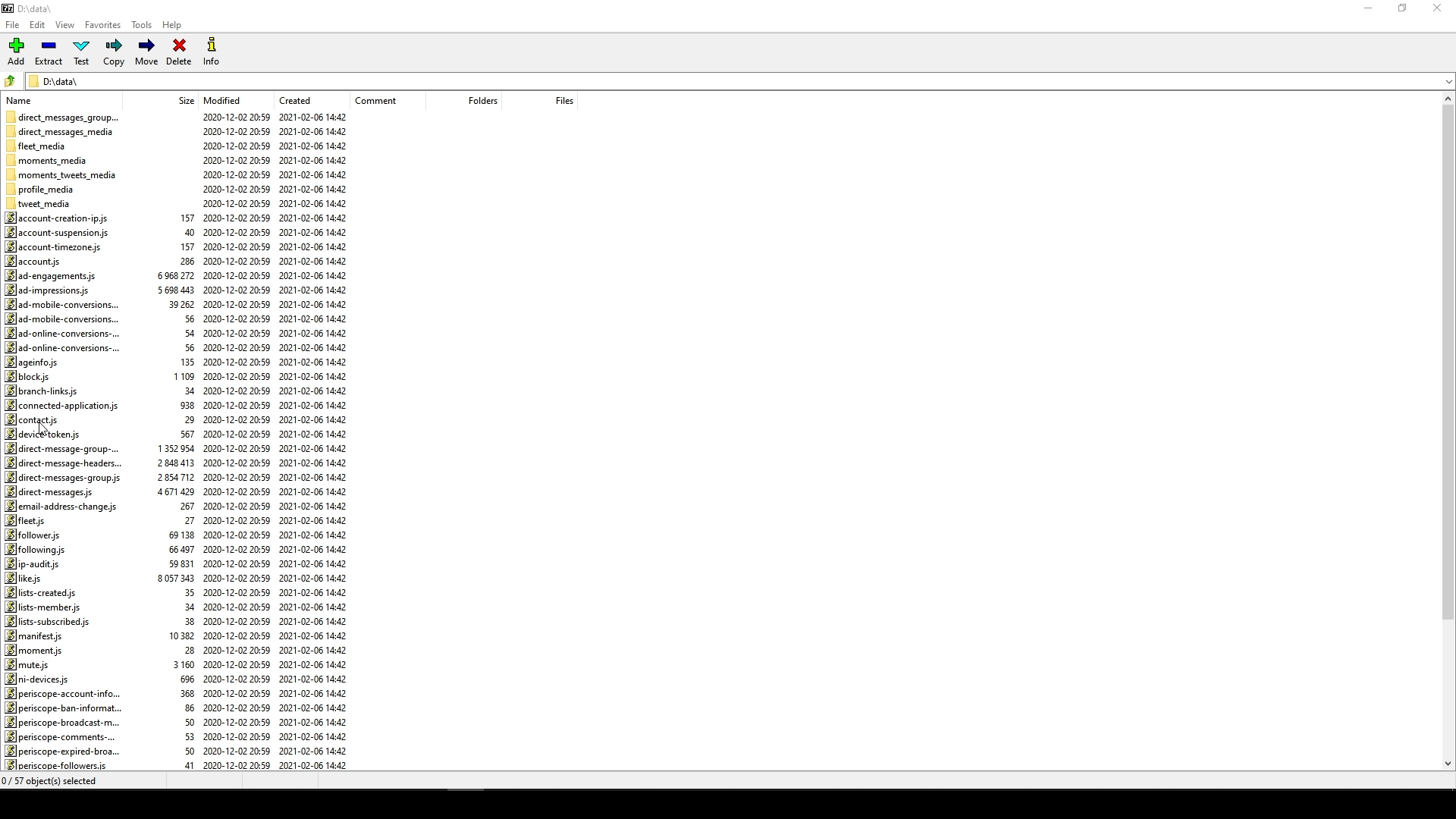 The width and height of the screenshot is (1456, 819). What do you see at coordinates (49, 275) in the screenshot?
I see `ad-engagements.js` at bounding box center [49, 275].